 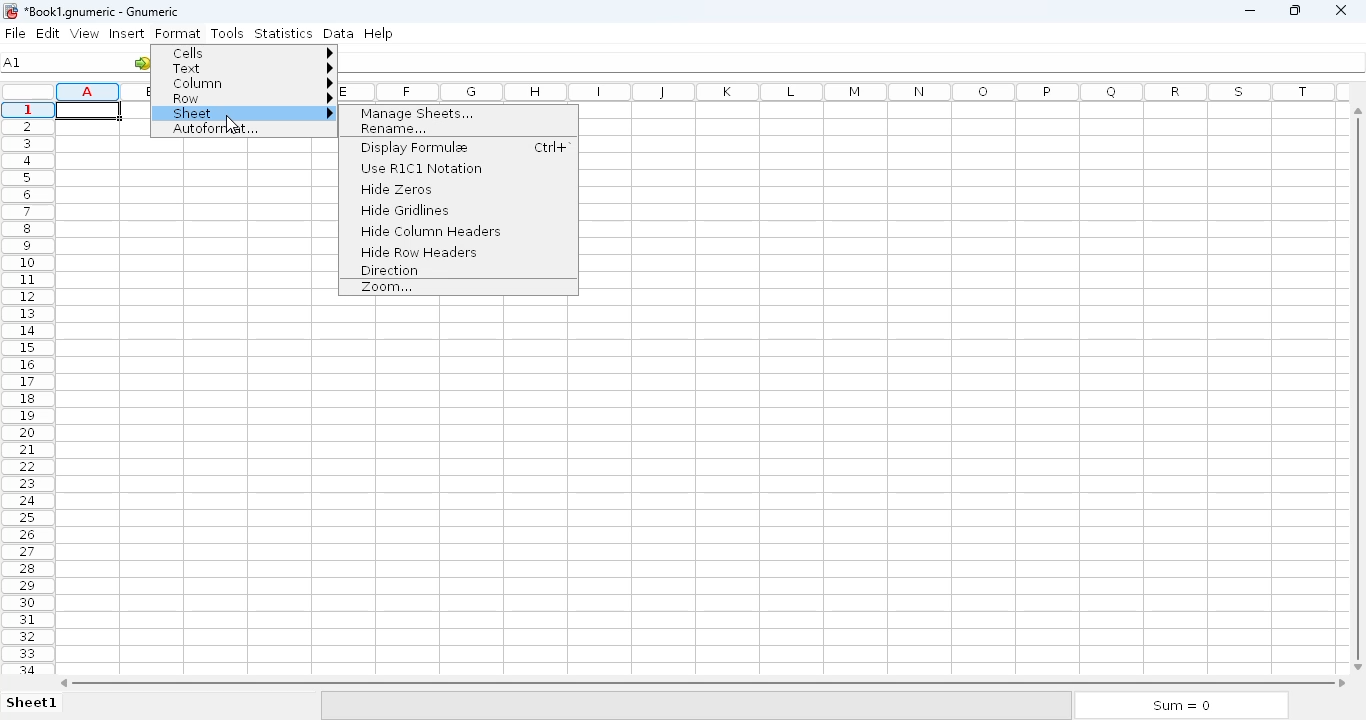 What do you see at coordinates (27, 387) in the screenshot?
I see `rows` at bounding box center [27, 387].